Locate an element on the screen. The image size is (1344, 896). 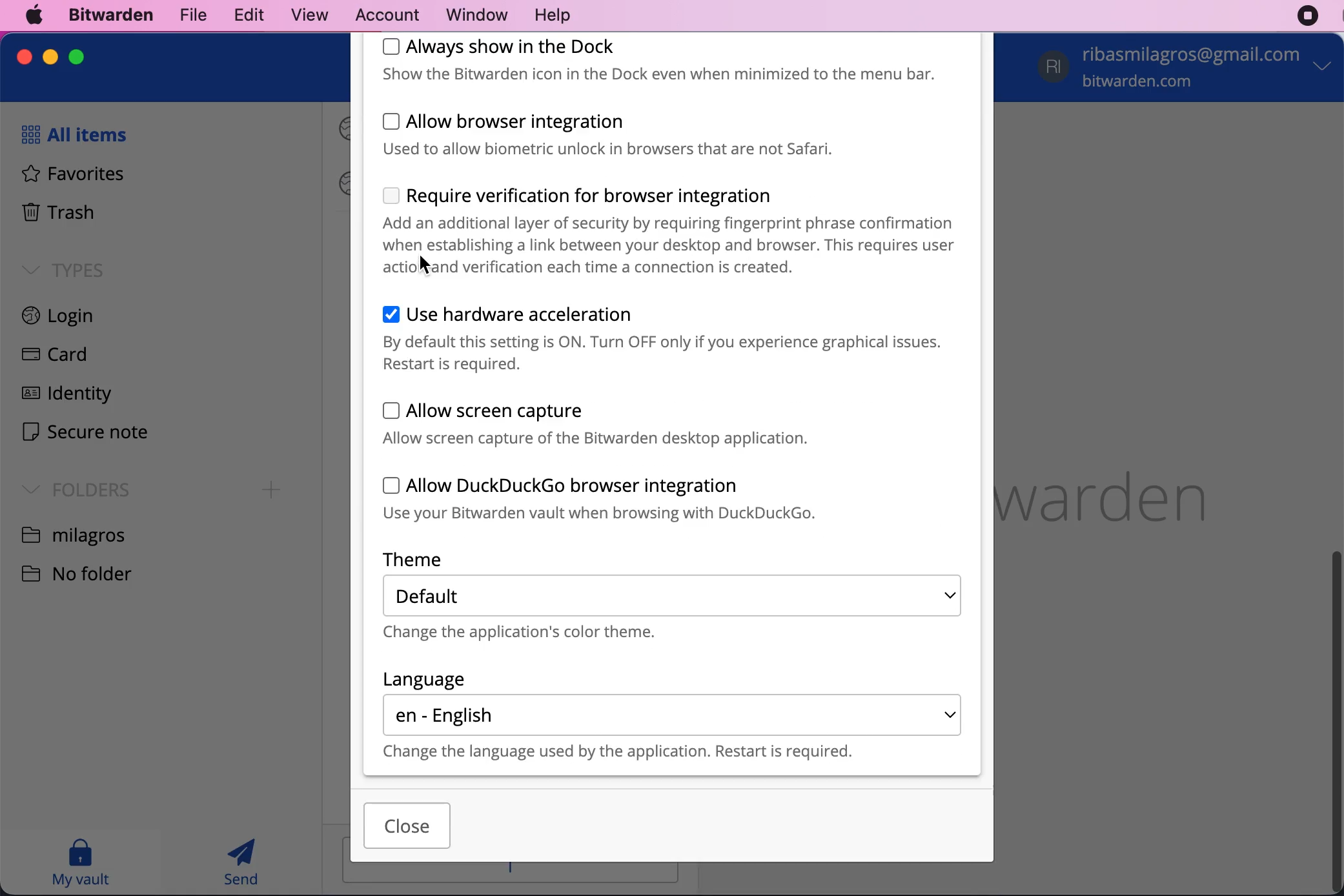
change the language used by the application. restart is requires is located at coordinates (642, 753).